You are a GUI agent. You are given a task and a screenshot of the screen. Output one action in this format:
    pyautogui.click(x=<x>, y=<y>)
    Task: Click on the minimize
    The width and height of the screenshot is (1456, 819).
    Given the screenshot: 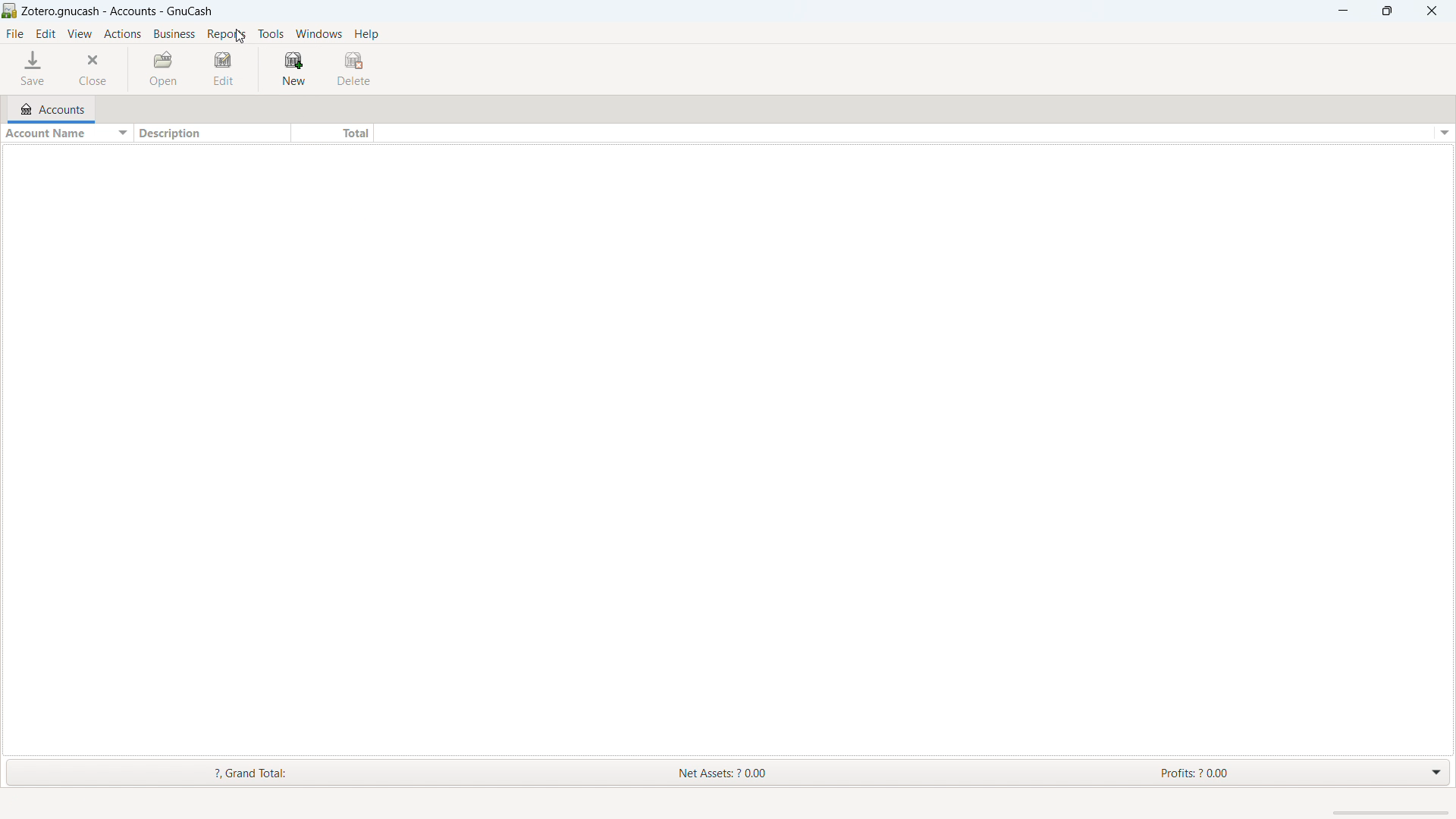 What is the action you would take?
    pyautogui.click(x=1344, y=11)
    